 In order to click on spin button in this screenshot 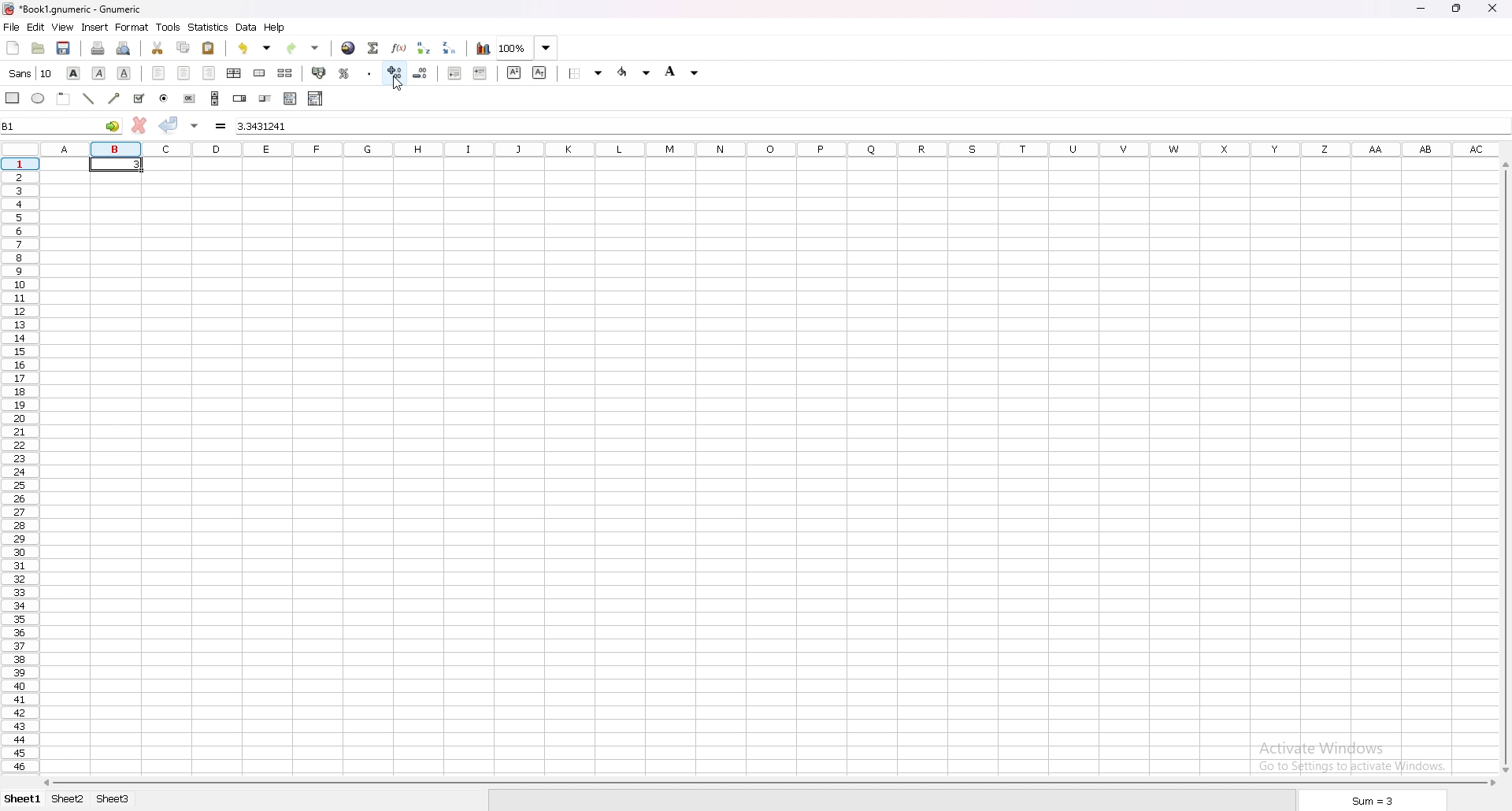, I will do `click(240, 98)`.